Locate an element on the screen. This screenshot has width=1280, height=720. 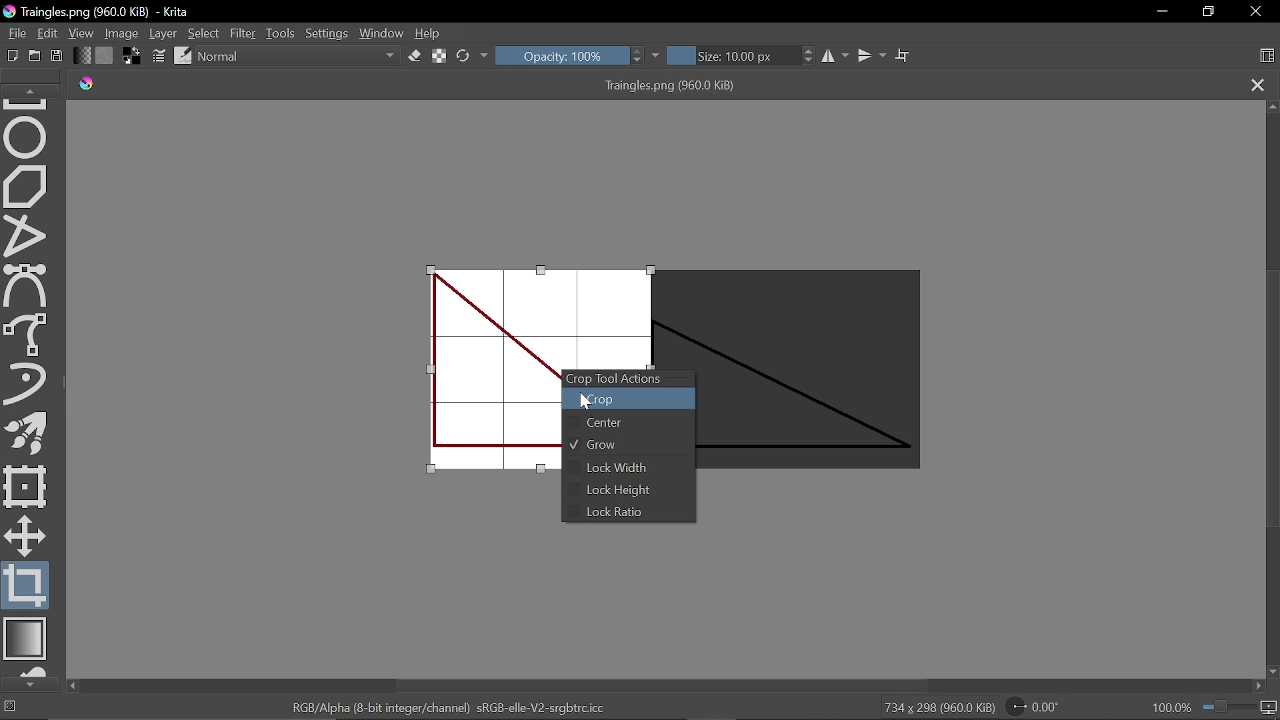
Open new document is located at coordinates (35, 56).